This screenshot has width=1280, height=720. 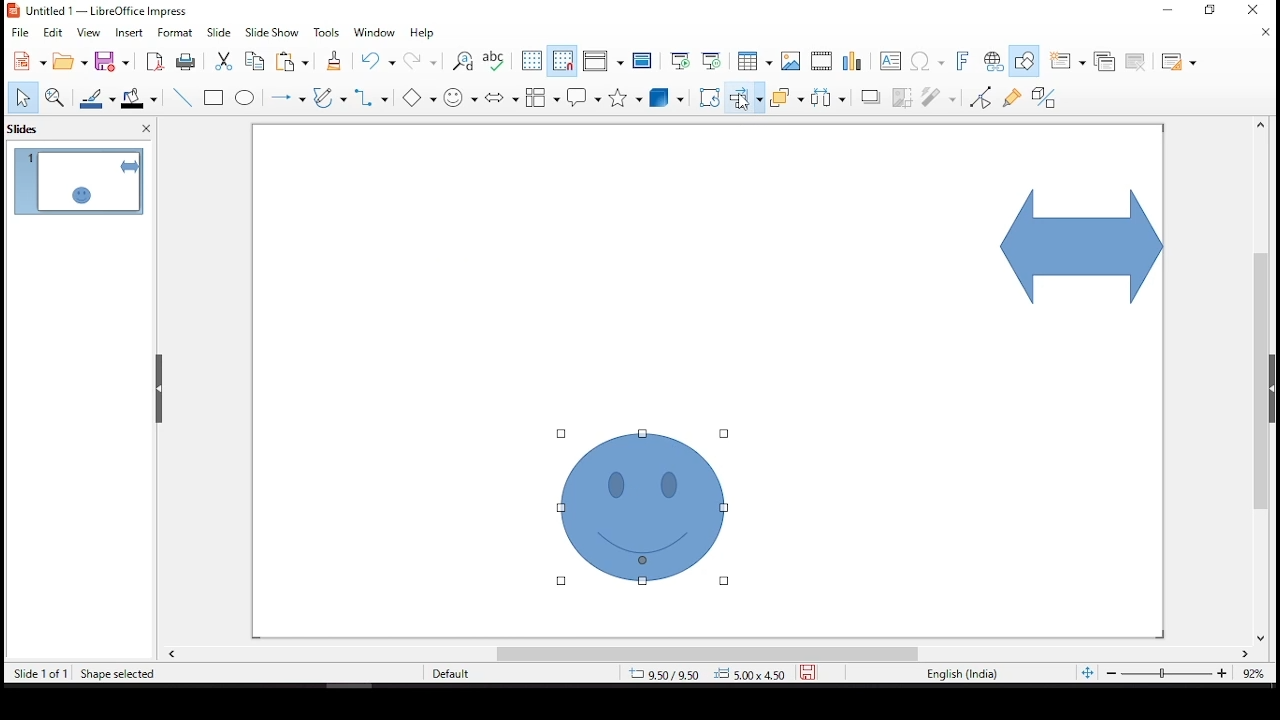 I want to click on rectangle, so click(x=216, y=99).